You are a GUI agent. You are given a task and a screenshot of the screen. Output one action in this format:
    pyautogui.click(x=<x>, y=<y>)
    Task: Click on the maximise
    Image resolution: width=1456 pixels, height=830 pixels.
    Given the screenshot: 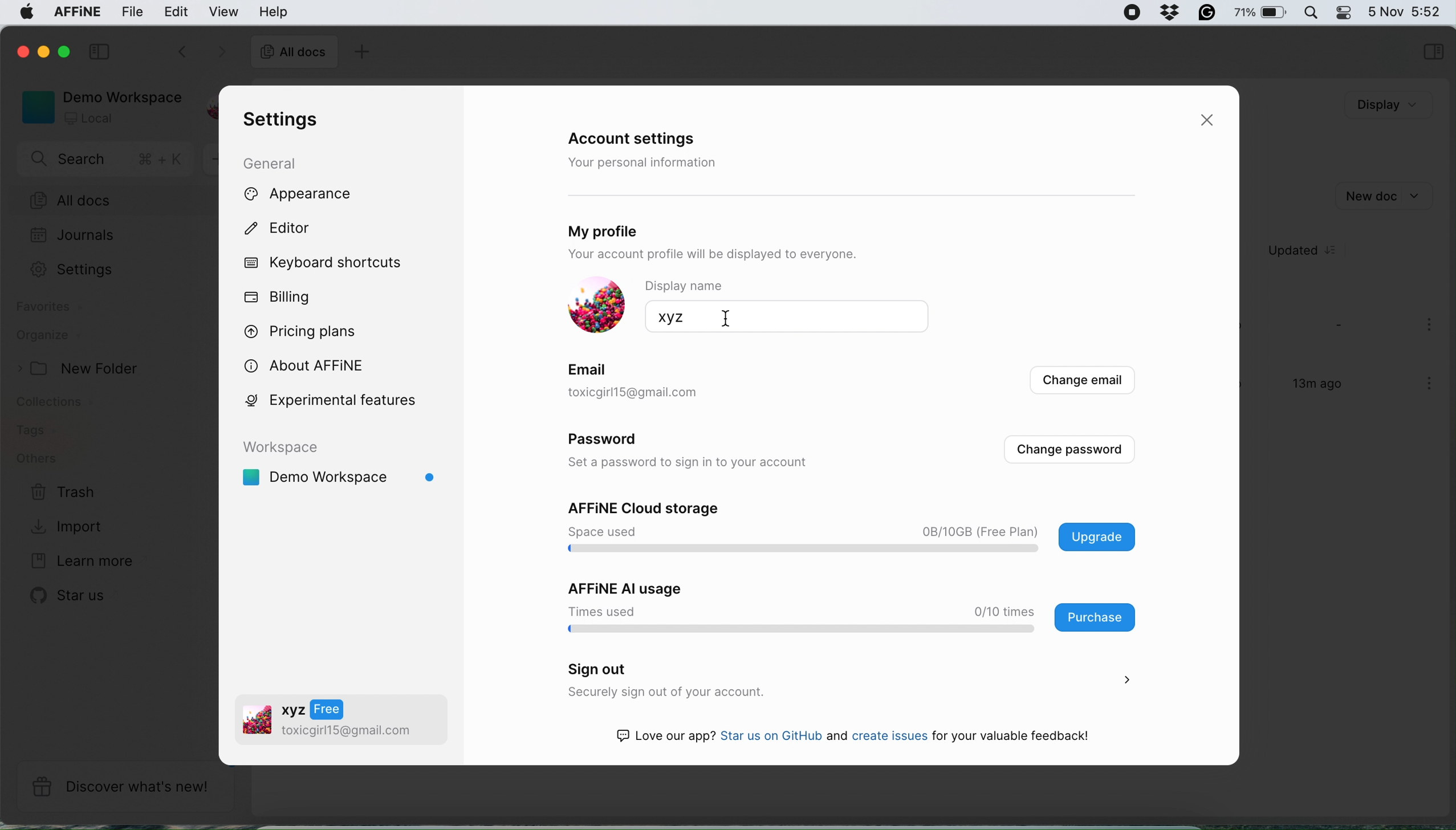 What is the action you would take?
    pyautogui.click(x=68, y=51)
    